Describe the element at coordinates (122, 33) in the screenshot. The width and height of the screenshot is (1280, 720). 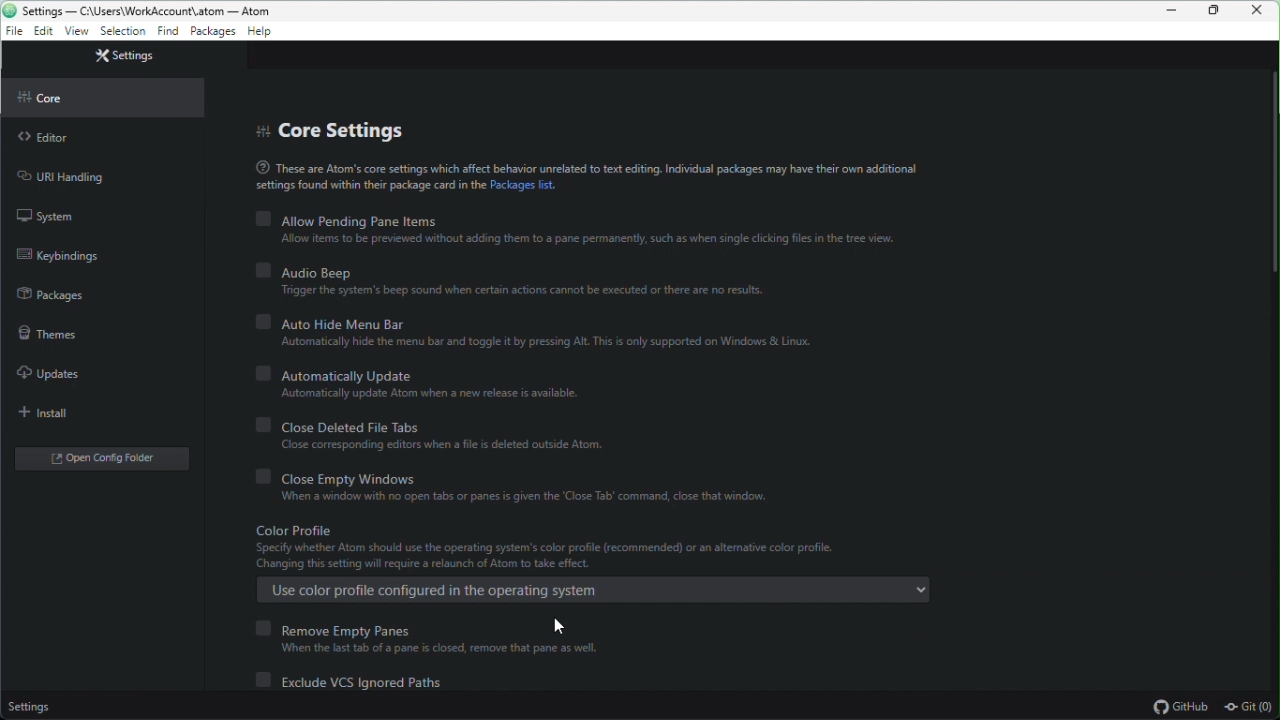
I see `settings` at that location.